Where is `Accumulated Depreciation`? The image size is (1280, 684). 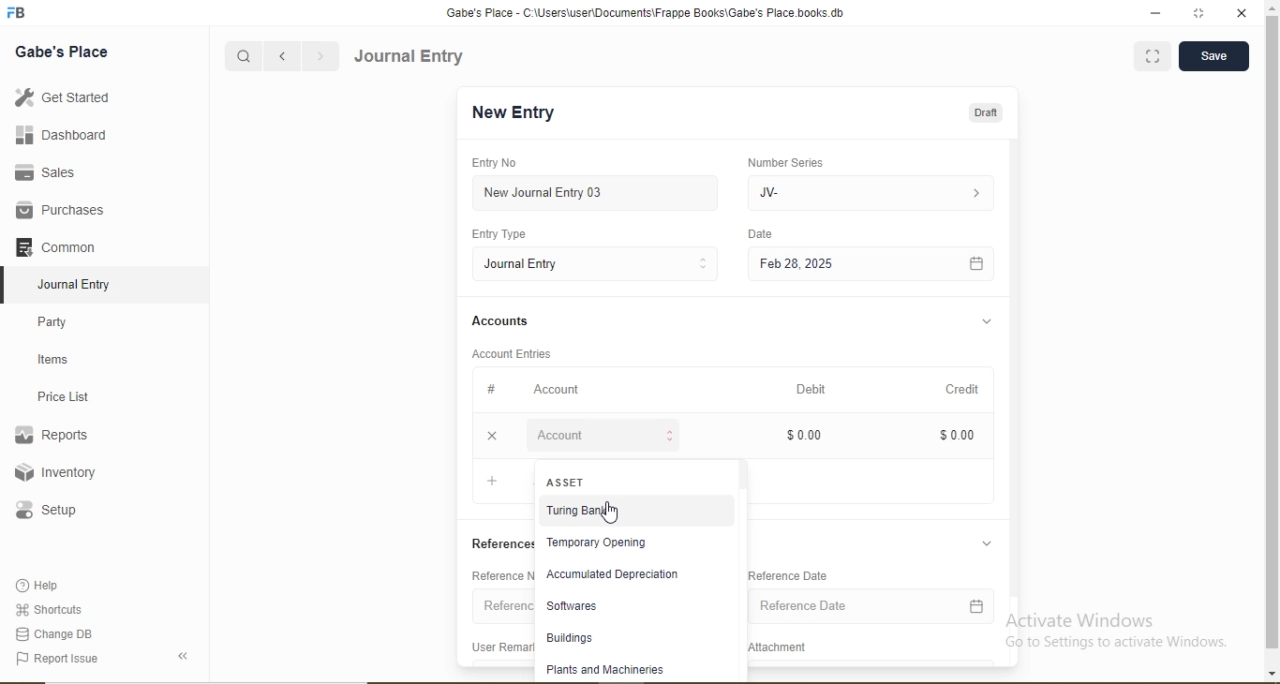
Accumulated Depreciation is located at coordinates (613, 574).